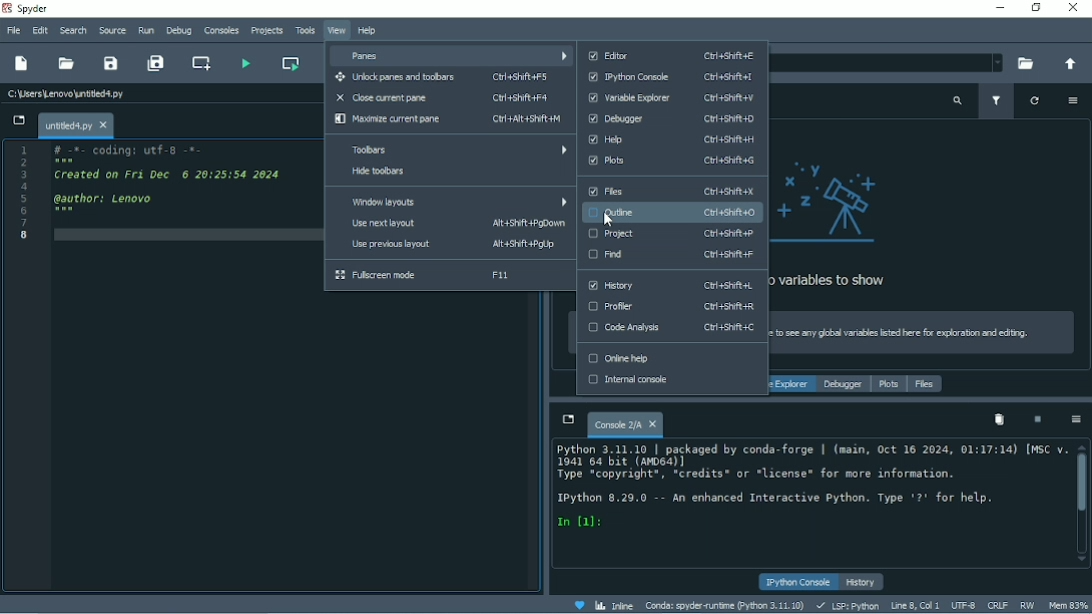 This screenshot has width=1092, height=614. Describe the element at coordinates (677, 212) in the screenshot. I see `Outline` at that location.